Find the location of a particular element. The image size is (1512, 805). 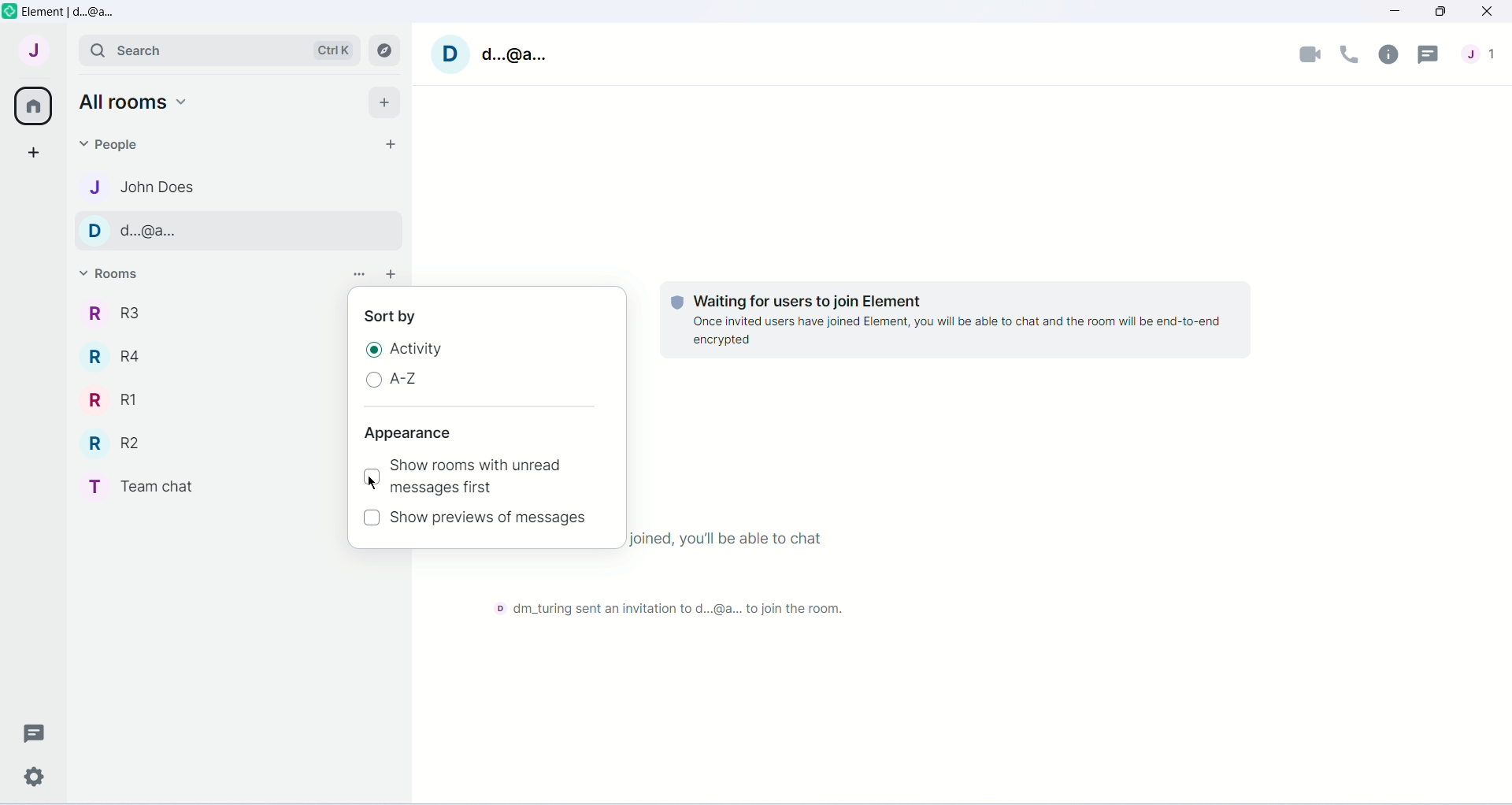

Room Name-r4 is located at coordinates (117, 356).